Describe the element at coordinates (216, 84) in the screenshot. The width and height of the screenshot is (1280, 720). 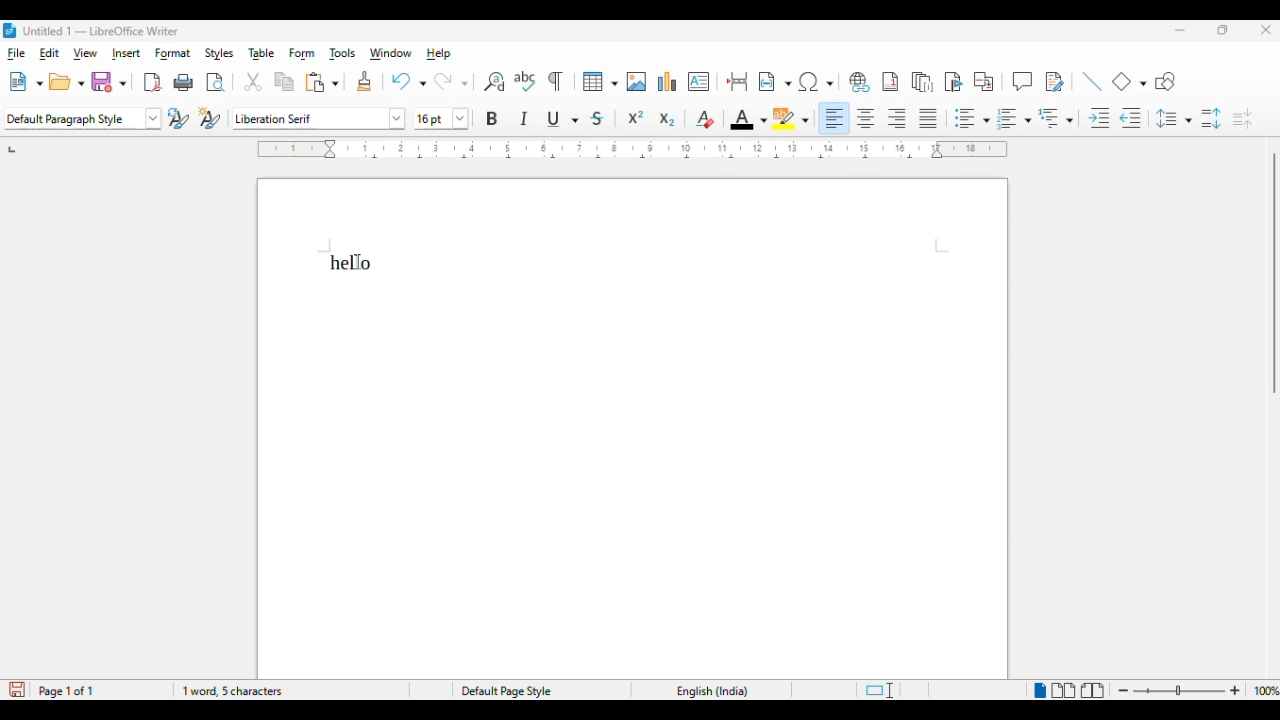
I see `toggle print preview` at that location.